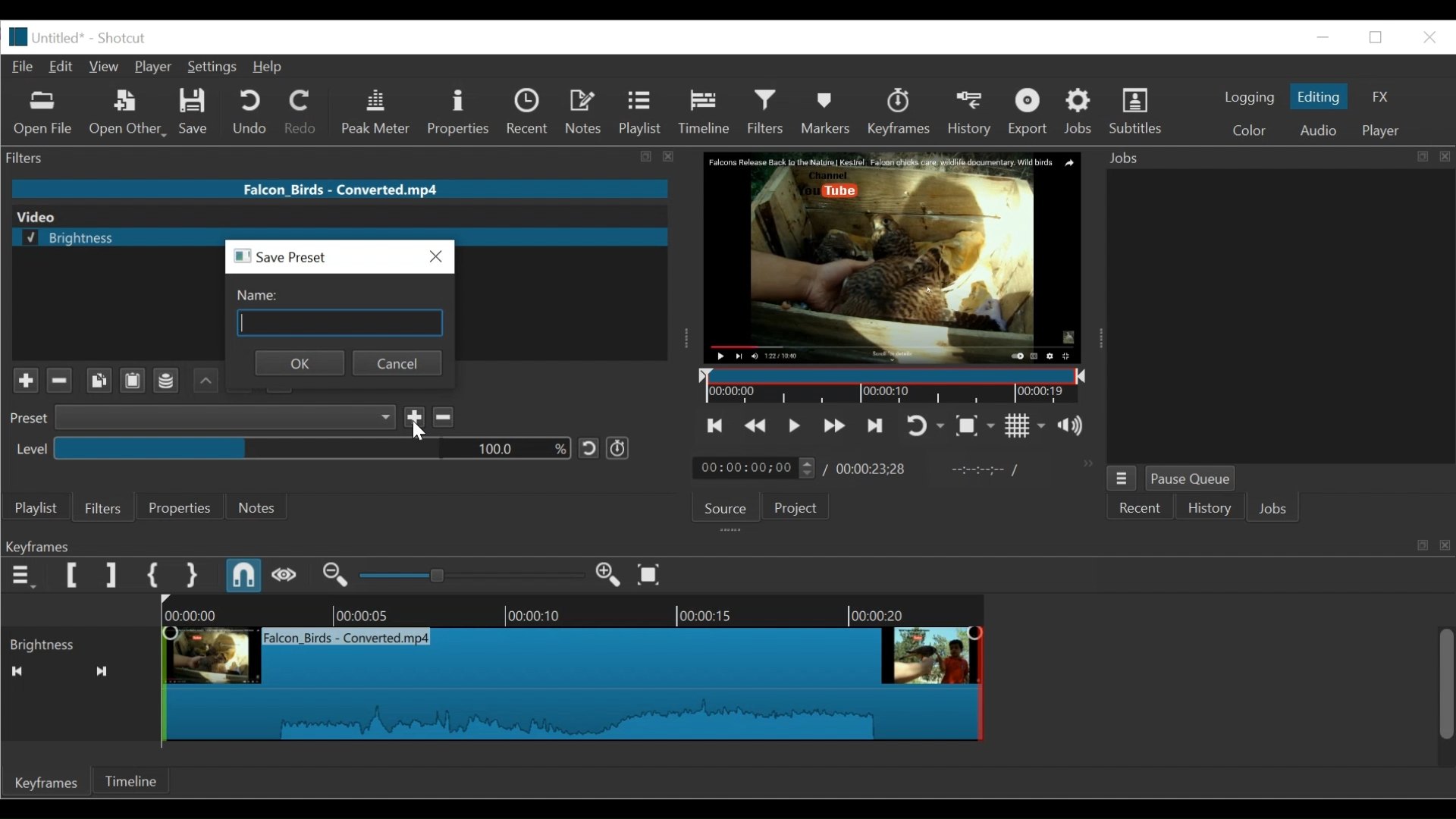 This screenshot has width=1456, height=819. I want to click on Help, so click(272, 67).